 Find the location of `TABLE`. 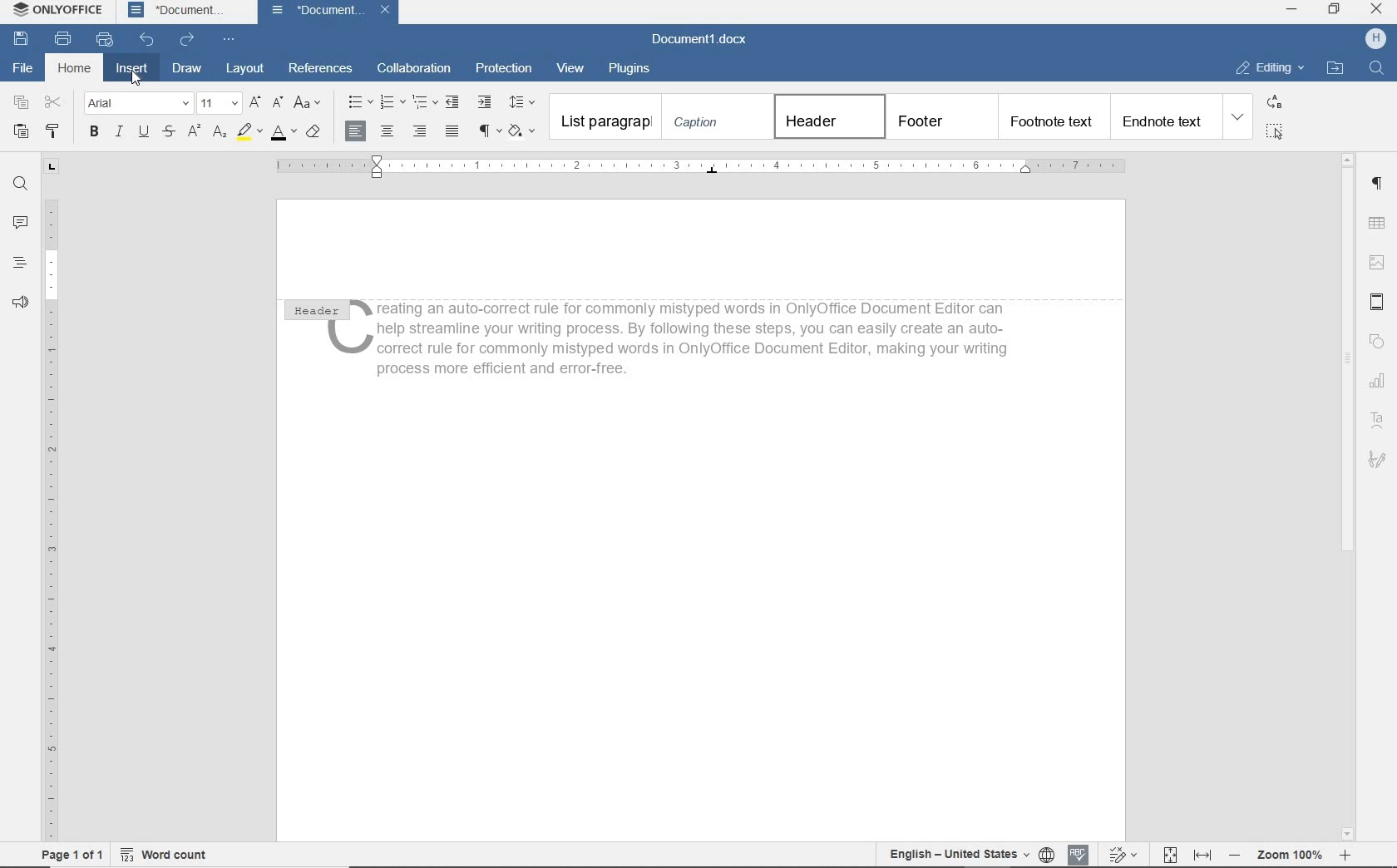

TABLE is located at coordinates (1375, 224).